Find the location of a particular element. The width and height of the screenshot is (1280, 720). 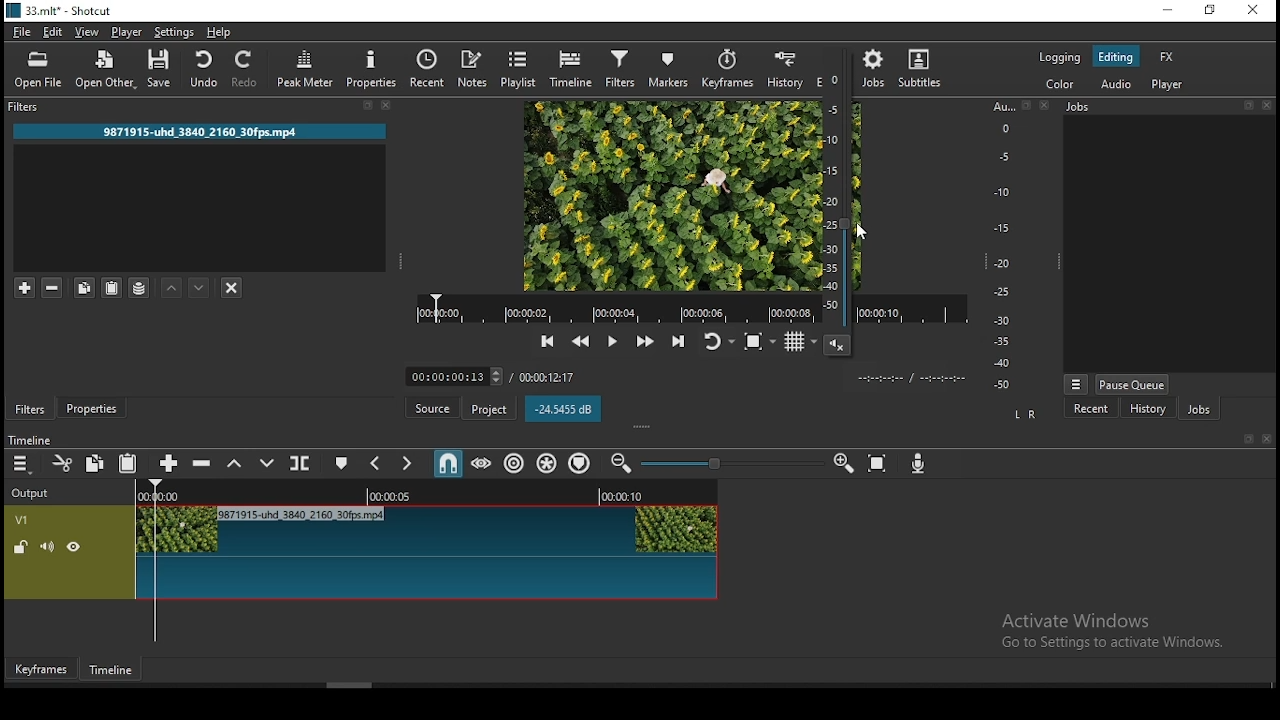

append is located at coordinates (170, 464).